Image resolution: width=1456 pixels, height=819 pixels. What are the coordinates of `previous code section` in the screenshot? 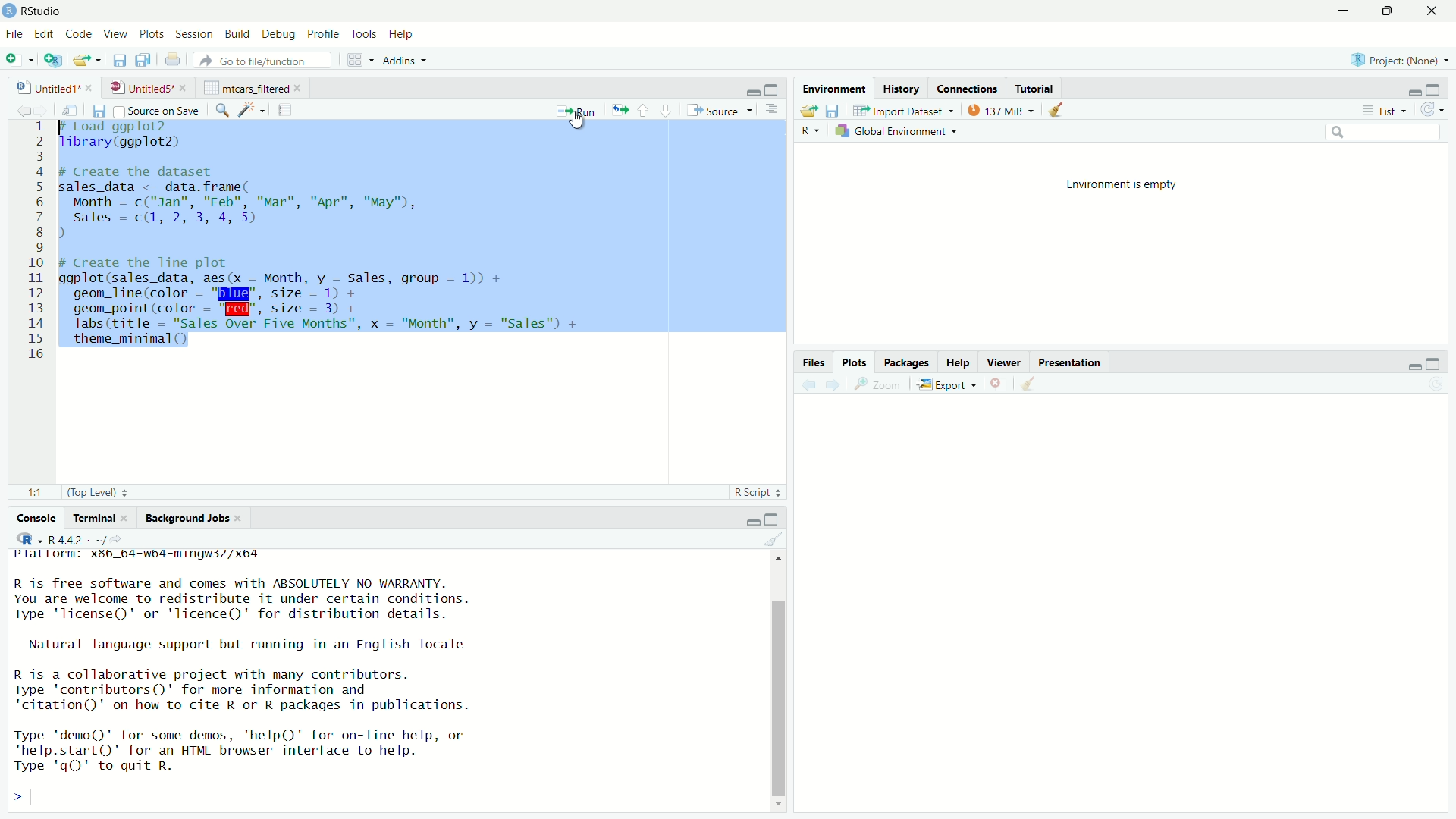 It's located at (643, 110).